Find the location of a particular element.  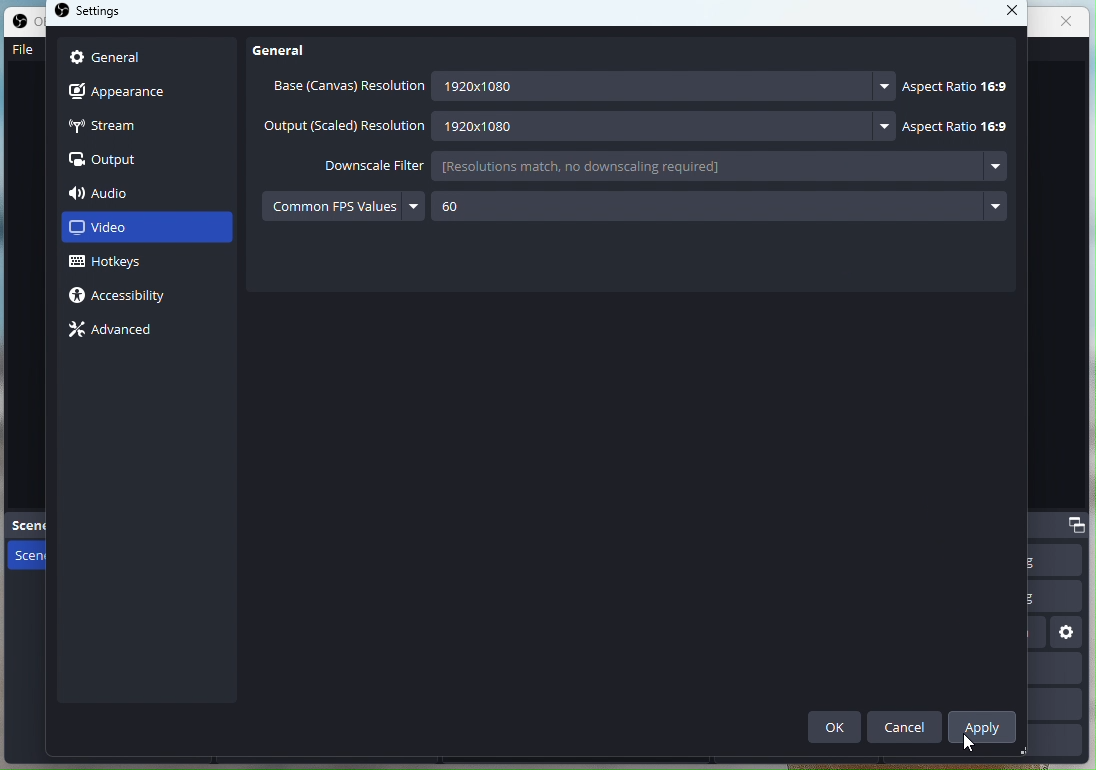

File is located at coordinates (22, 54).